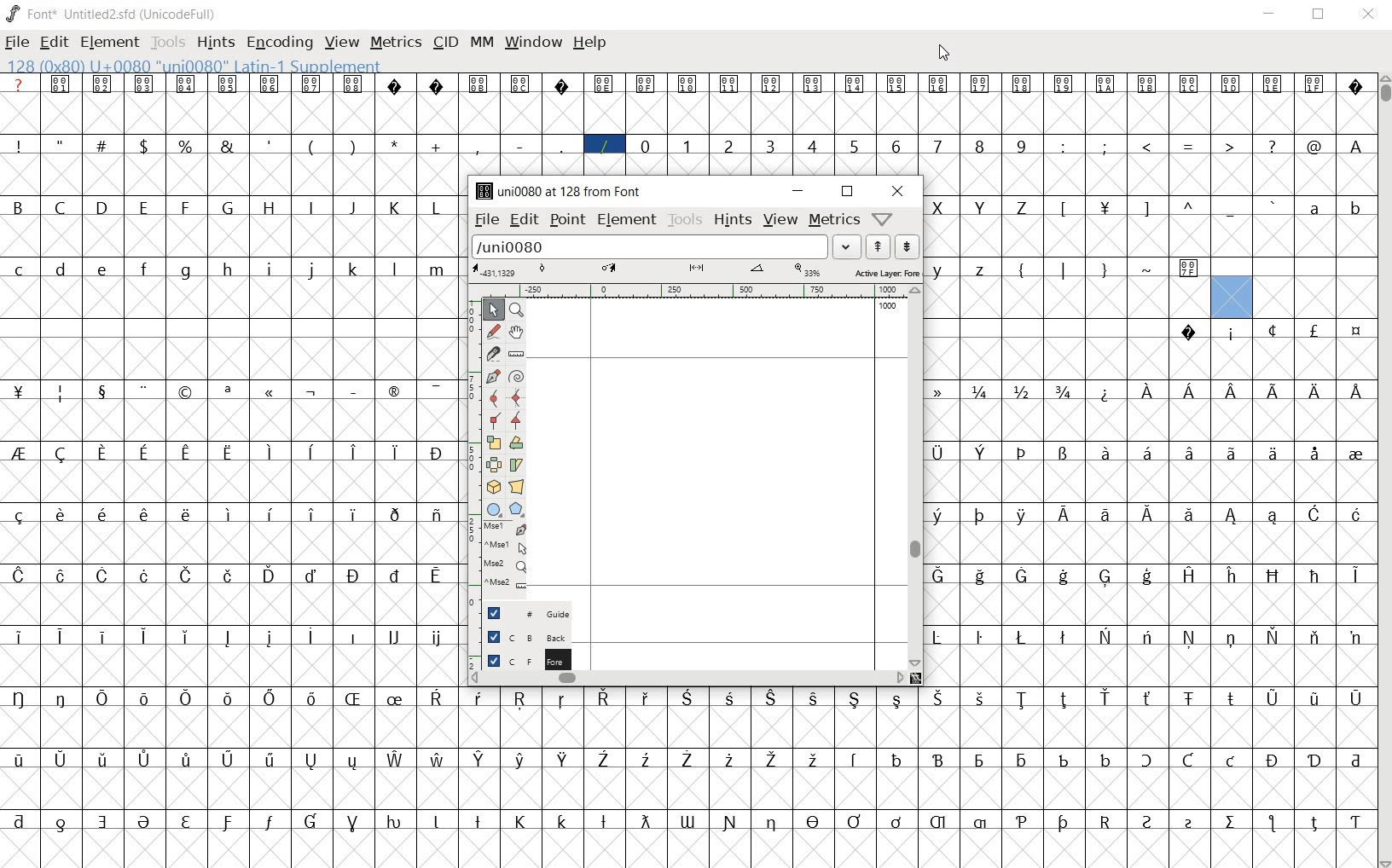  What do you see at coordinates (1020, 208) in the screenshot?
I see `glyph` at bounding box center [1020, 208].